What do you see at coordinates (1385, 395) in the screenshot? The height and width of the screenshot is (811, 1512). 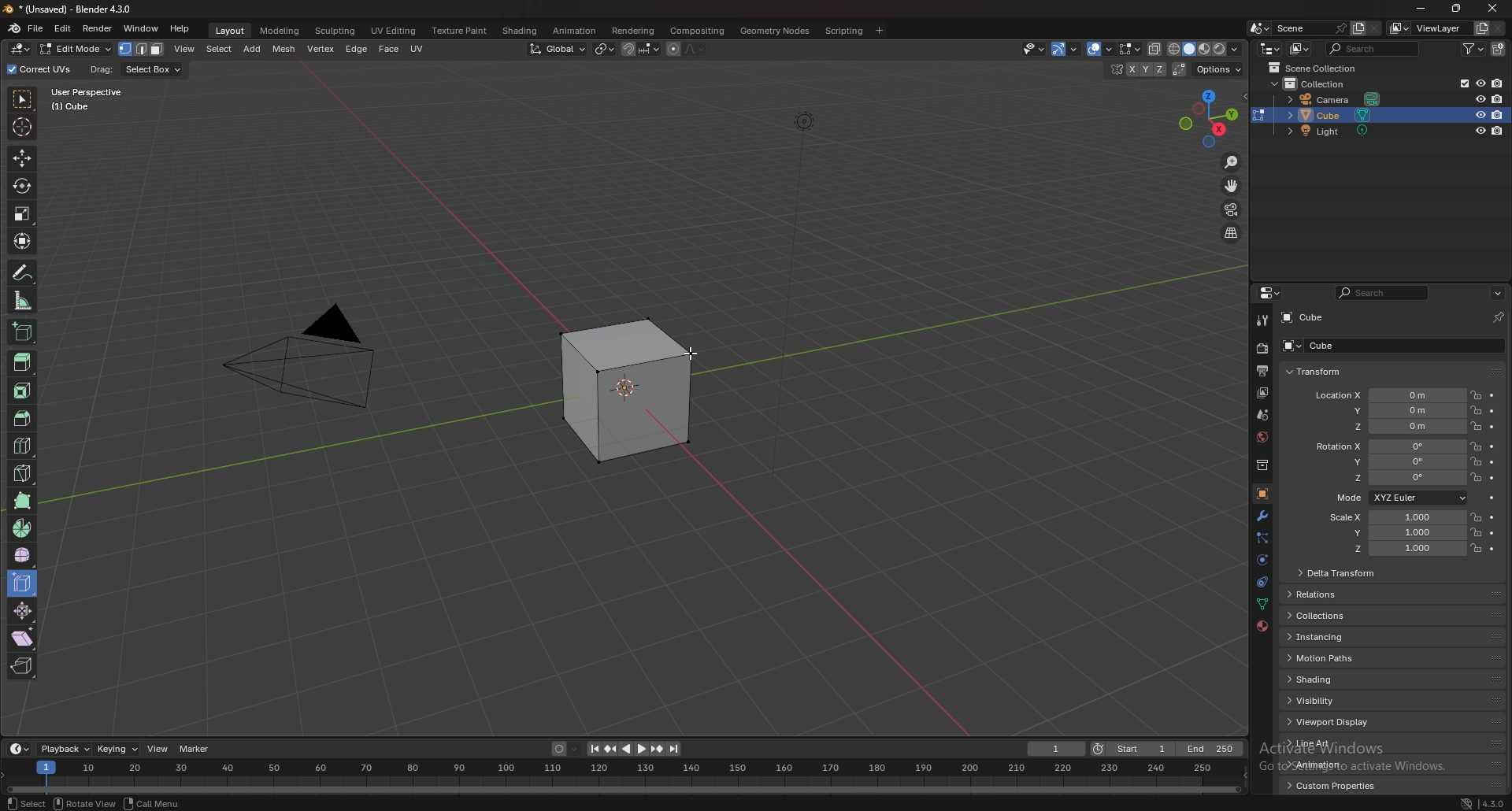 I see `location x` at bounding box center [1385, 395].